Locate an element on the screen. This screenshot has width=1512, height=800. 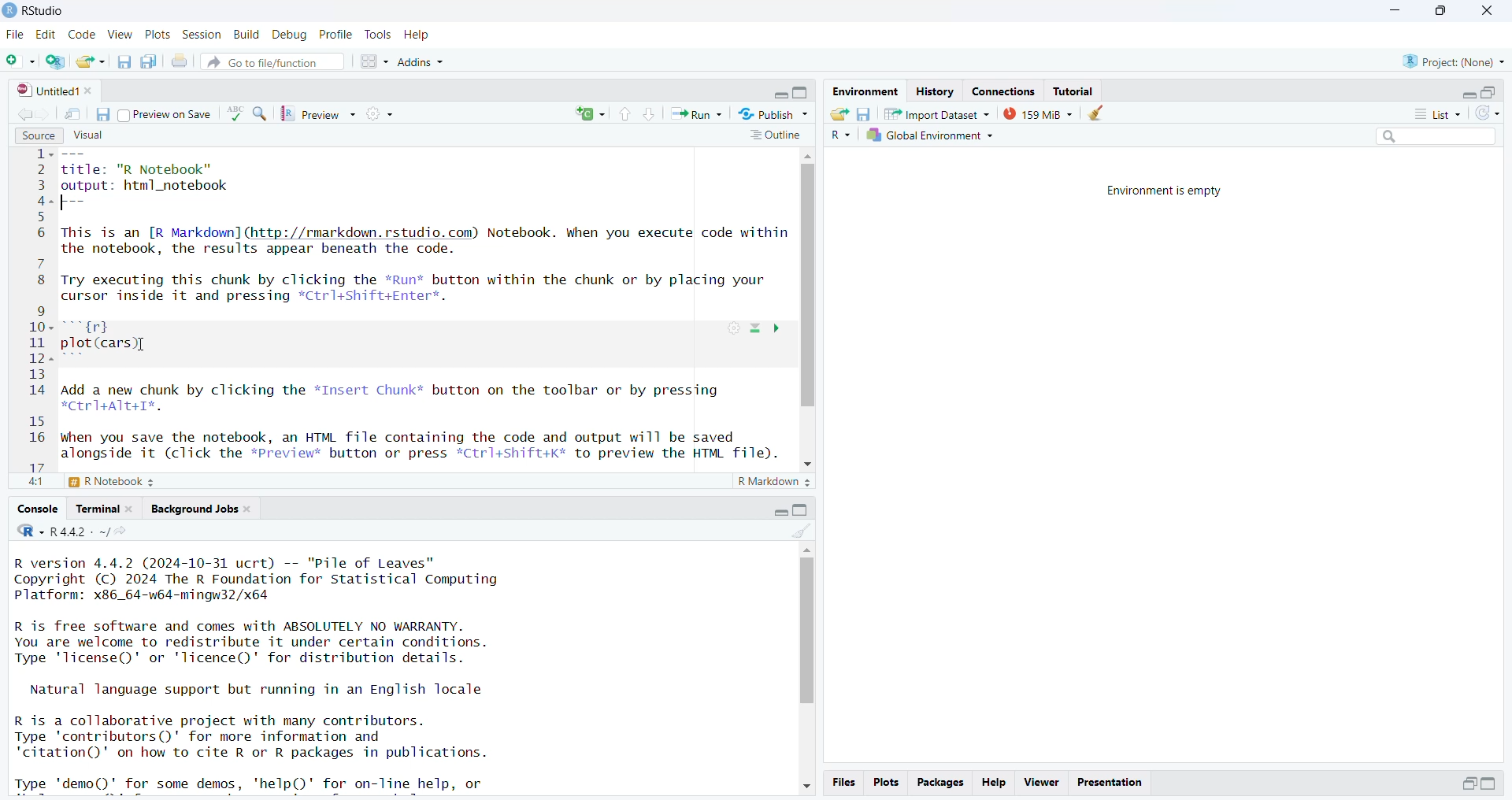
edit is located at coordinates (49, 35).